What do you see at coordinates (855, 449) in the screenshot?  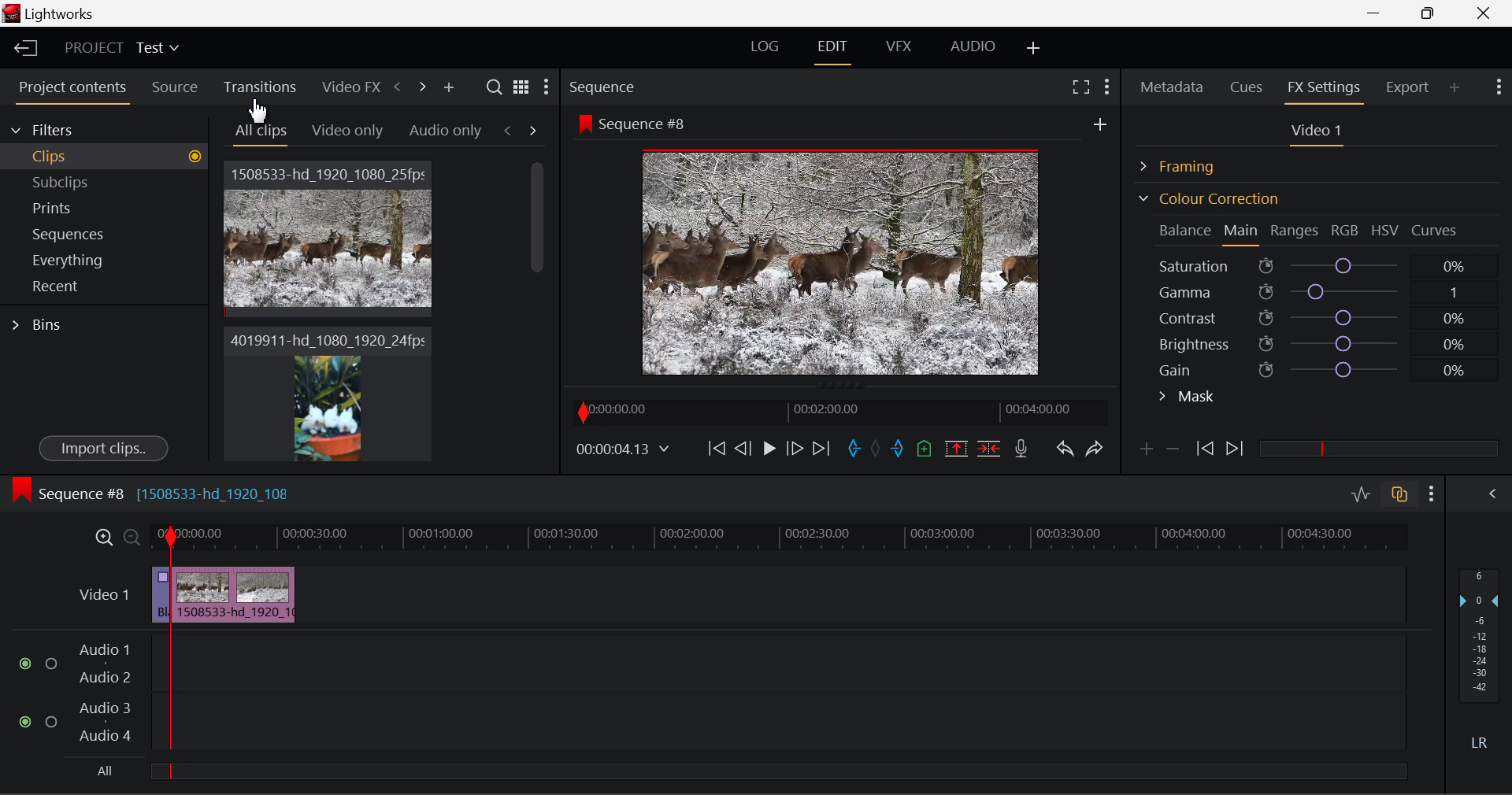 I see `Mark In` at bounding box center [855, 449].